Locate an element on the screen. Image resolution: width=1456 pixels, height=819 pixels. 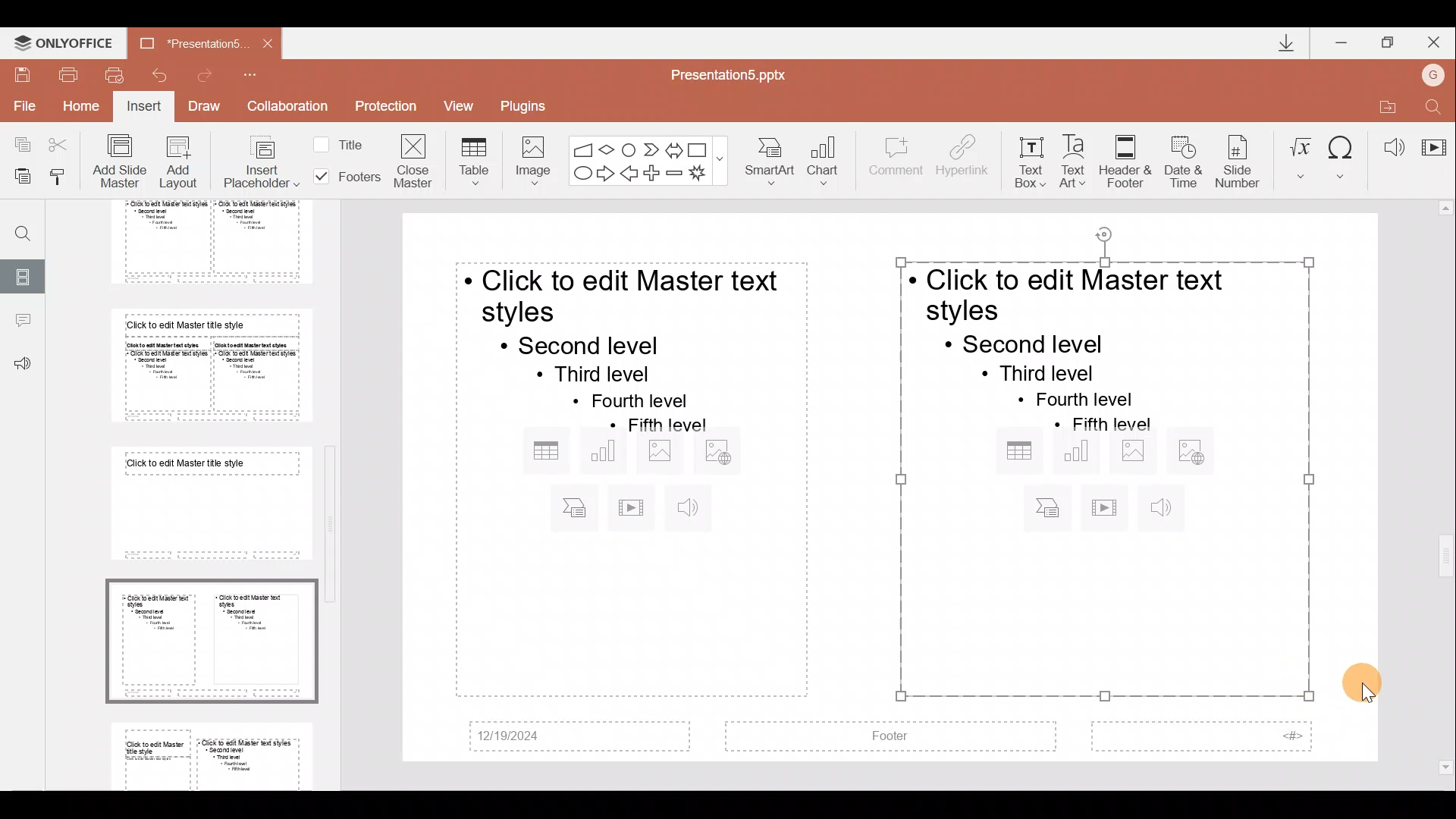
Title is located at coordinates (343, 143).